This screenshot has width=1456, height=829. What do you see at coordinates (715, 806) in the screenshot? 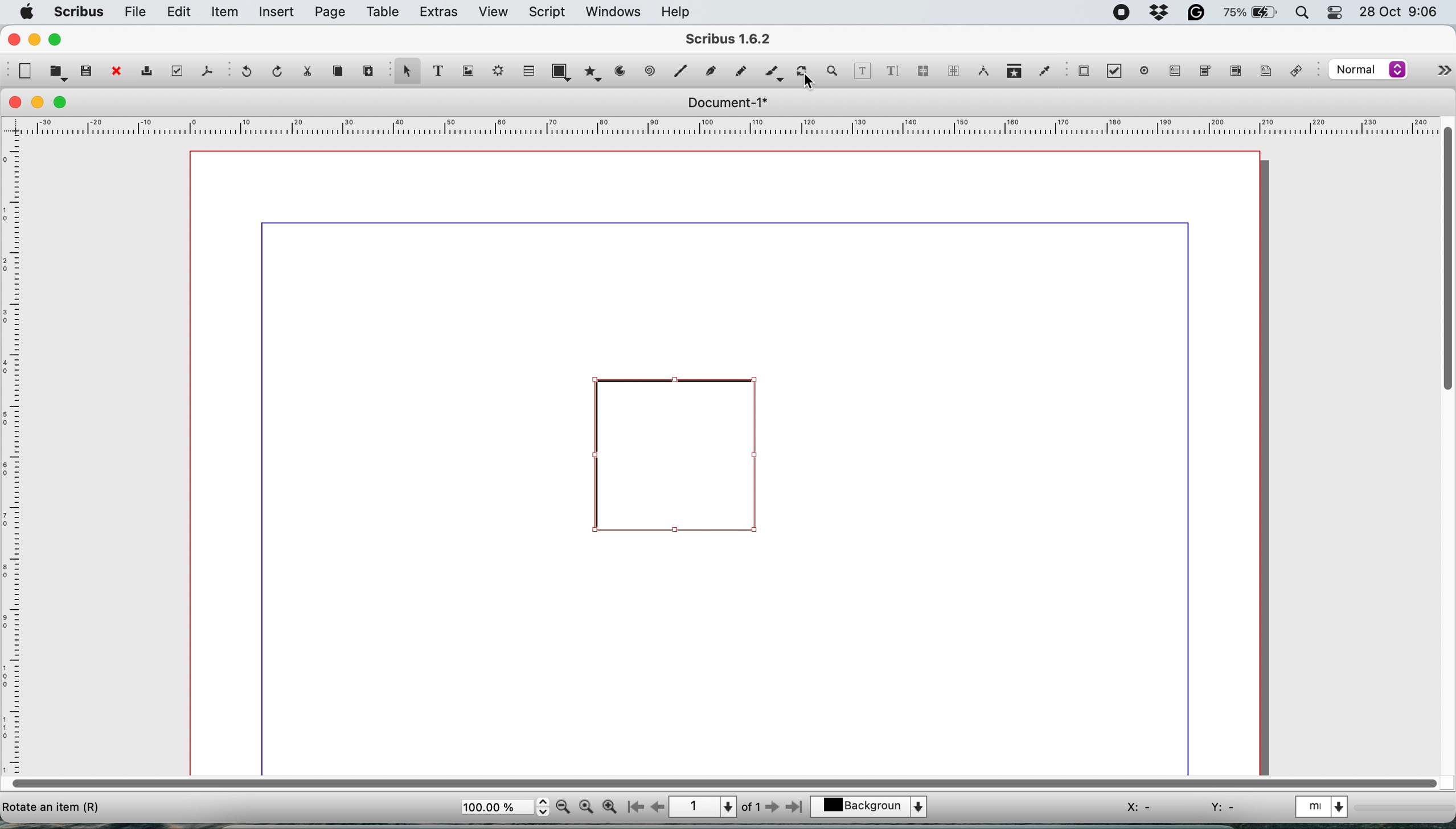
I see `page 1 of 1` at bounding box center [715, 806].